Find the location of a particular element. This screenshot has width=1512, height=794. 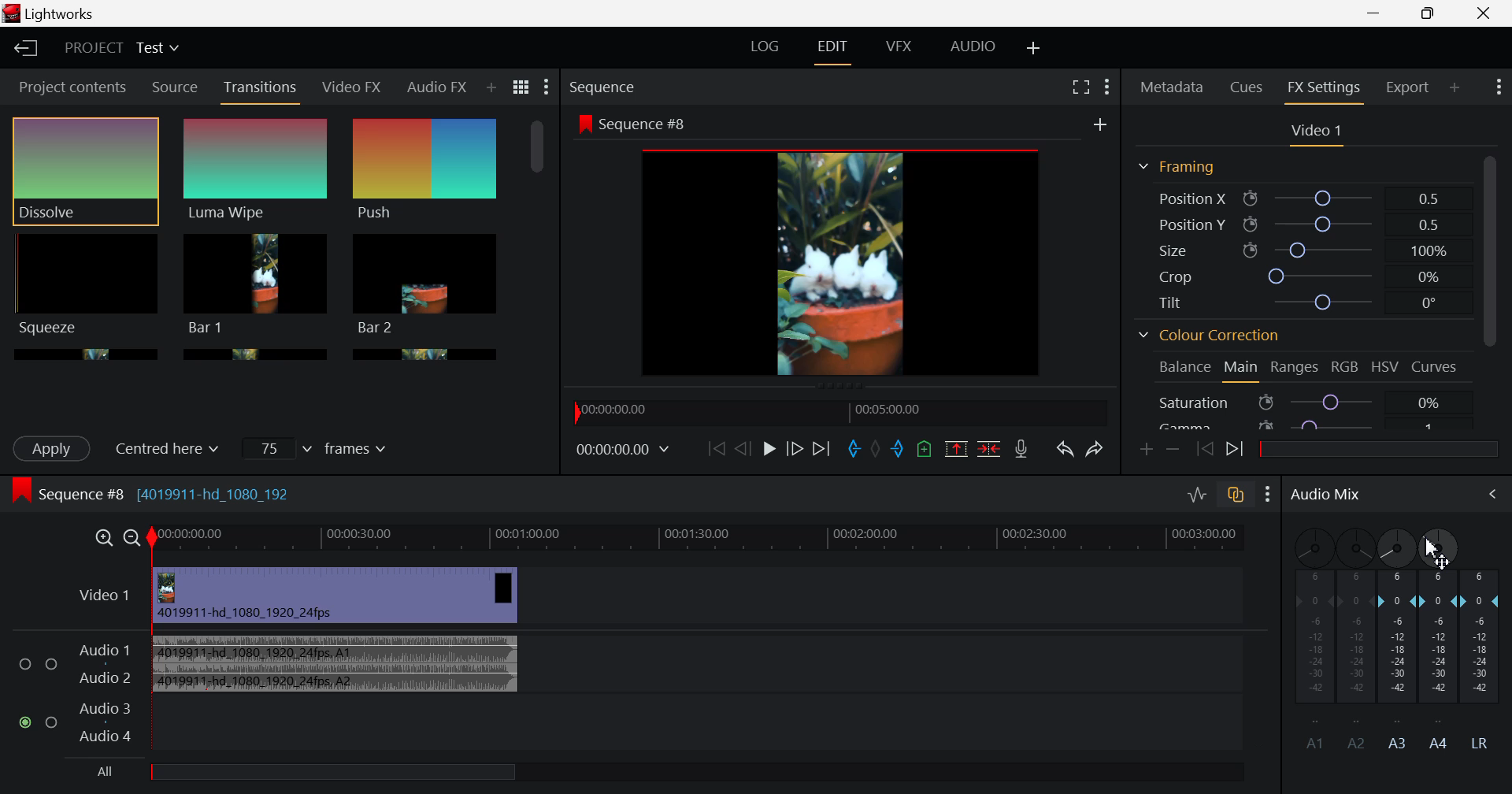

A2 Channel Disabled is located at coordinates (1355, 637).